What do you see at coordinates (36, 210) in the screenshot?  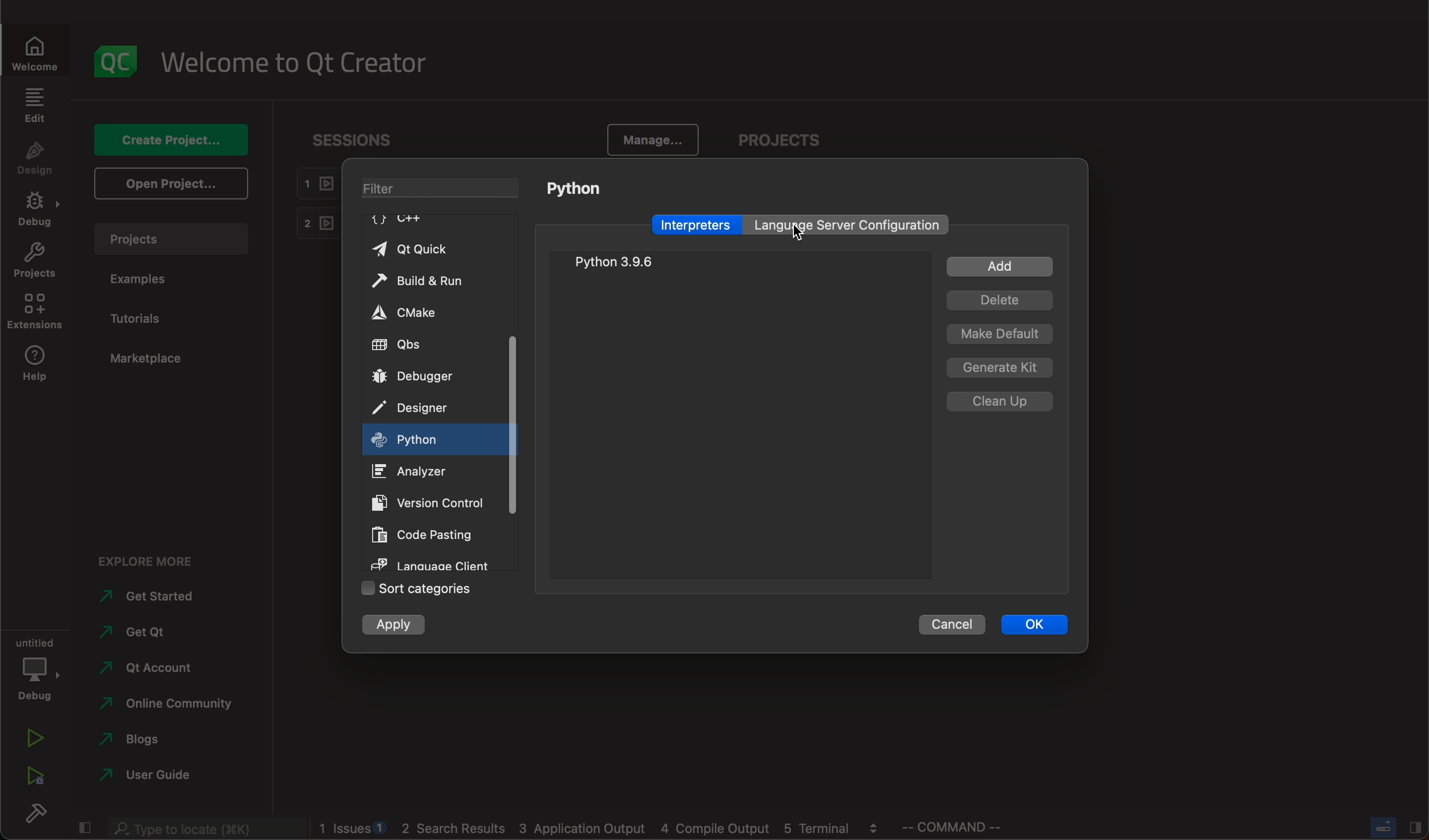 I see `debug` at bounding box center [36, 210].